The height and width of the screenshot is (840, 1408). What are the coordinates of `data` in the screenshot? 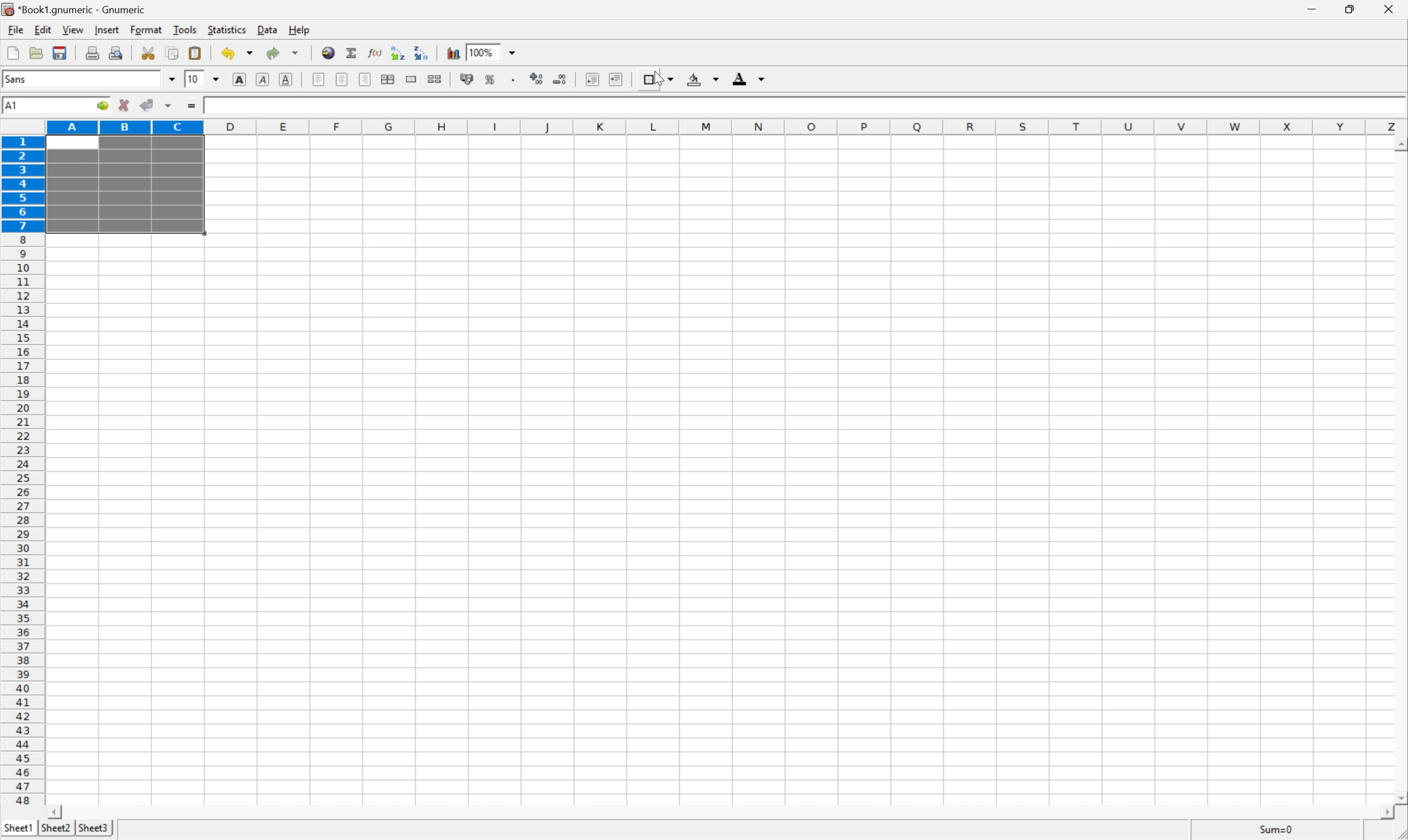 It's located at (265, 31).